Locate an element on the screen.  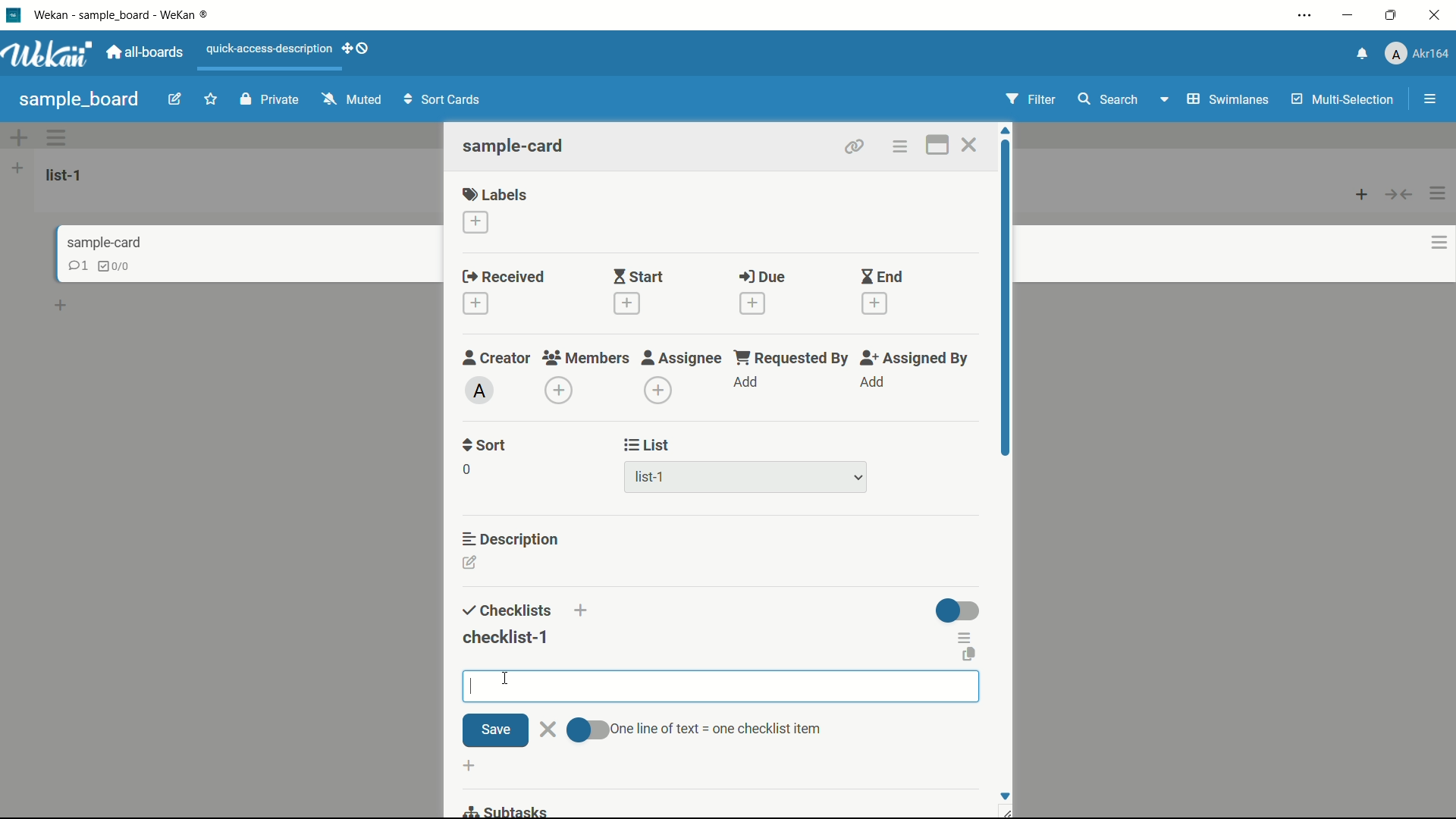
add date is located at coordinates (627, 303).